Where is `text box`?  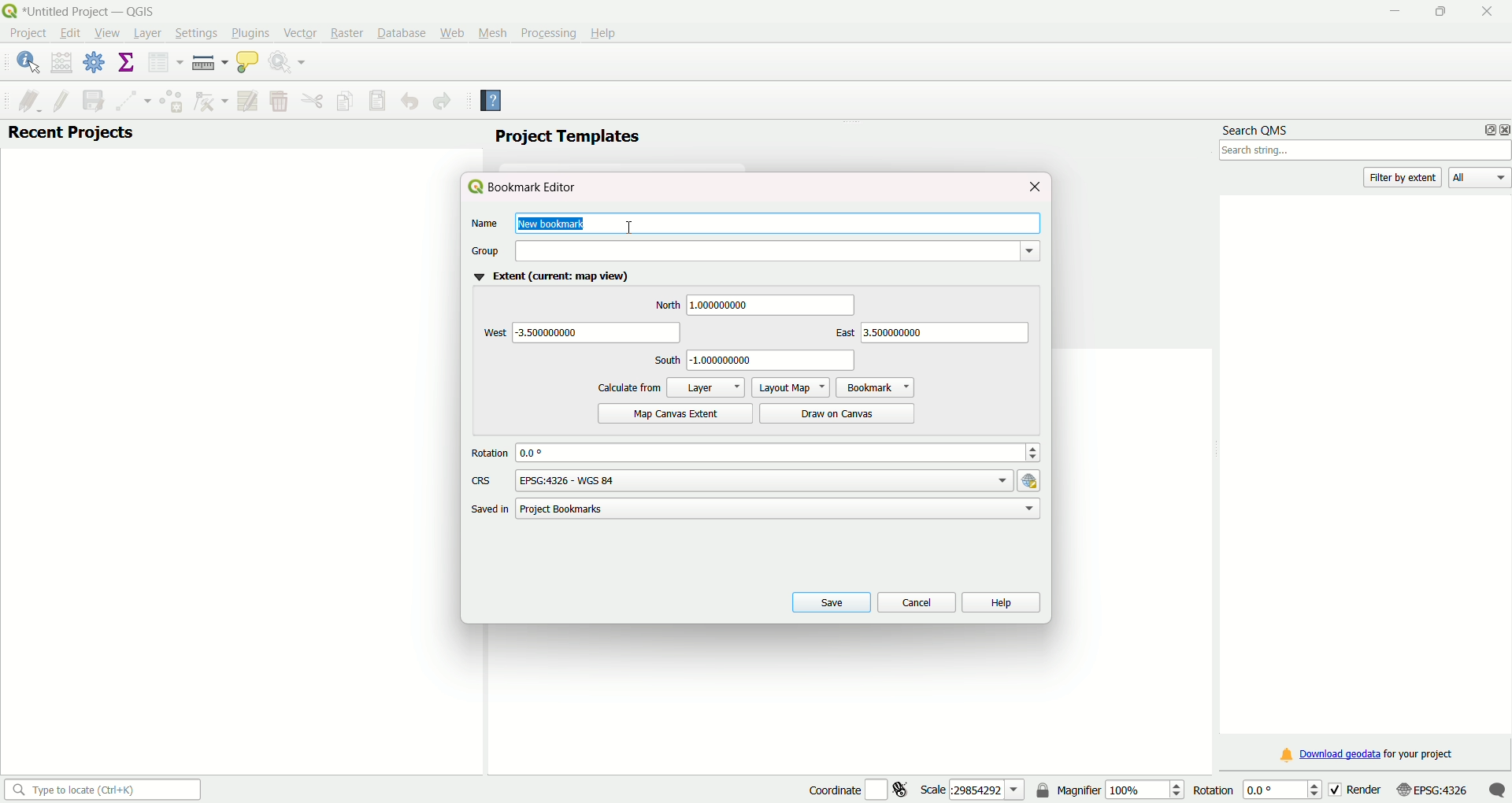
text box is located at coordinates (773, 305).